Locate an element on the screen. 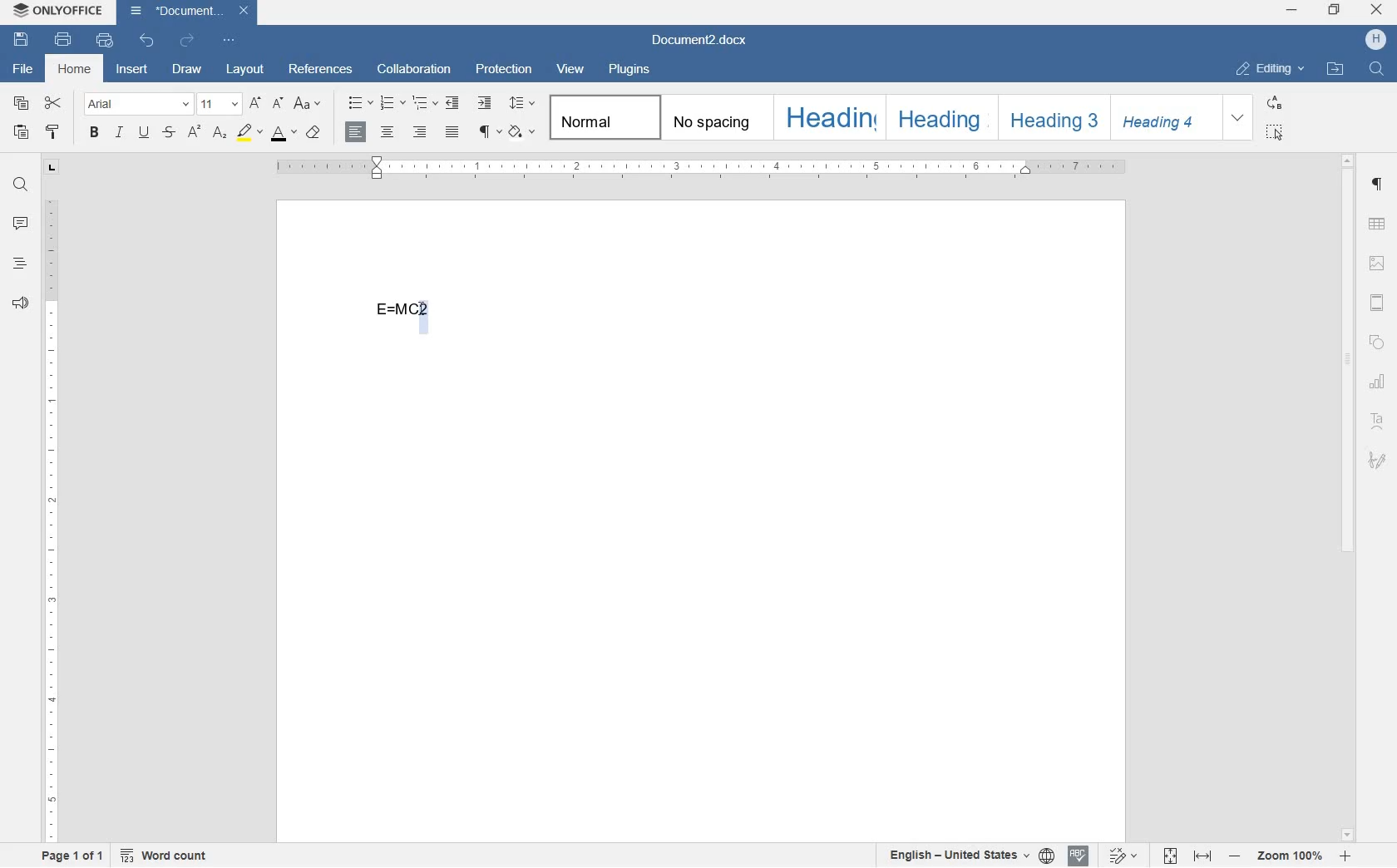  ruler is located at coordinates (52, 519).